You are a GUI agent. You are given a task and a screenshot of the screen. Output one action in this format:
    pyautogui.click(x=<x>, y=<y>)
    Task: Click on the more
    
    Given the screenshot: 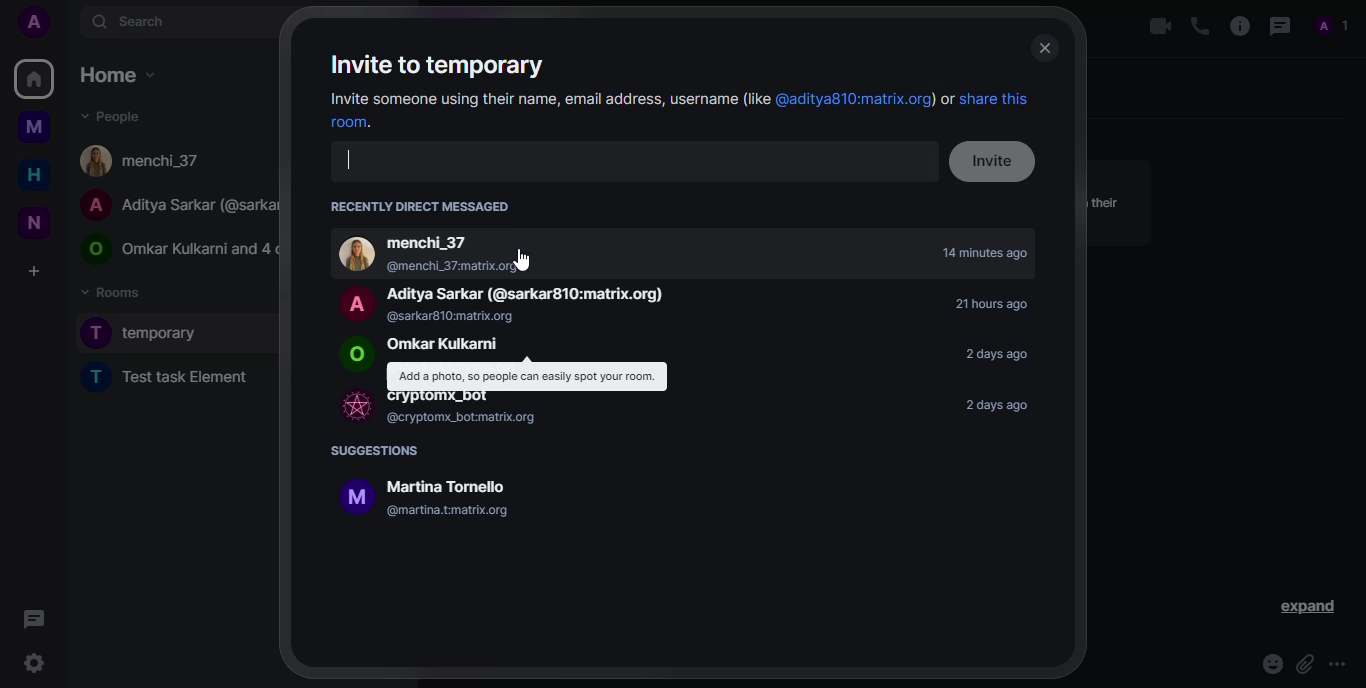 What is the action you would take?
    pyautogui.click(x=1343, y=665)
    